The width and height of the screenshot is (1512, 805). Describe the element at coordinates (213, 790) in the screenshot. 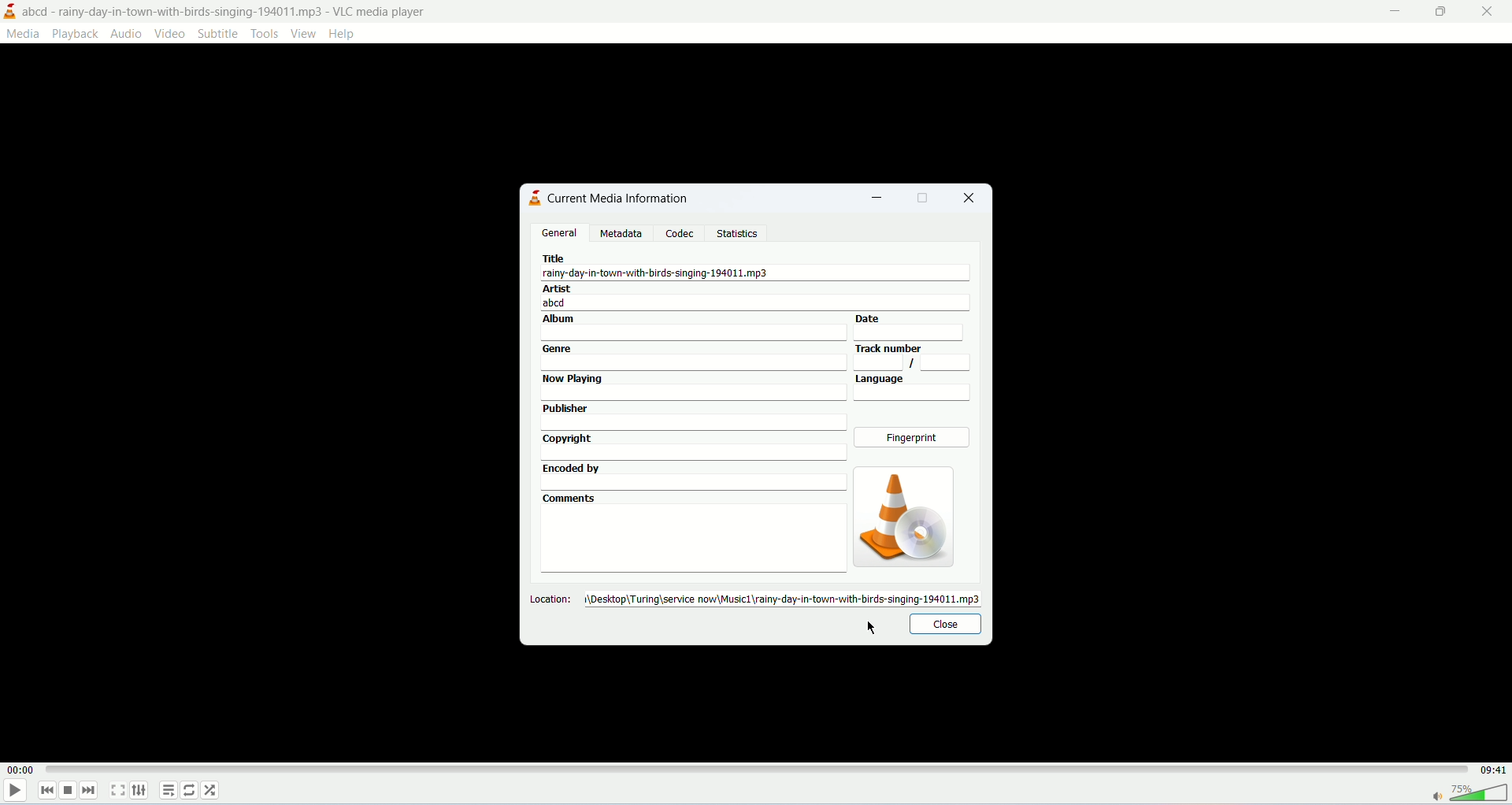

I see `shuffle` at that location.